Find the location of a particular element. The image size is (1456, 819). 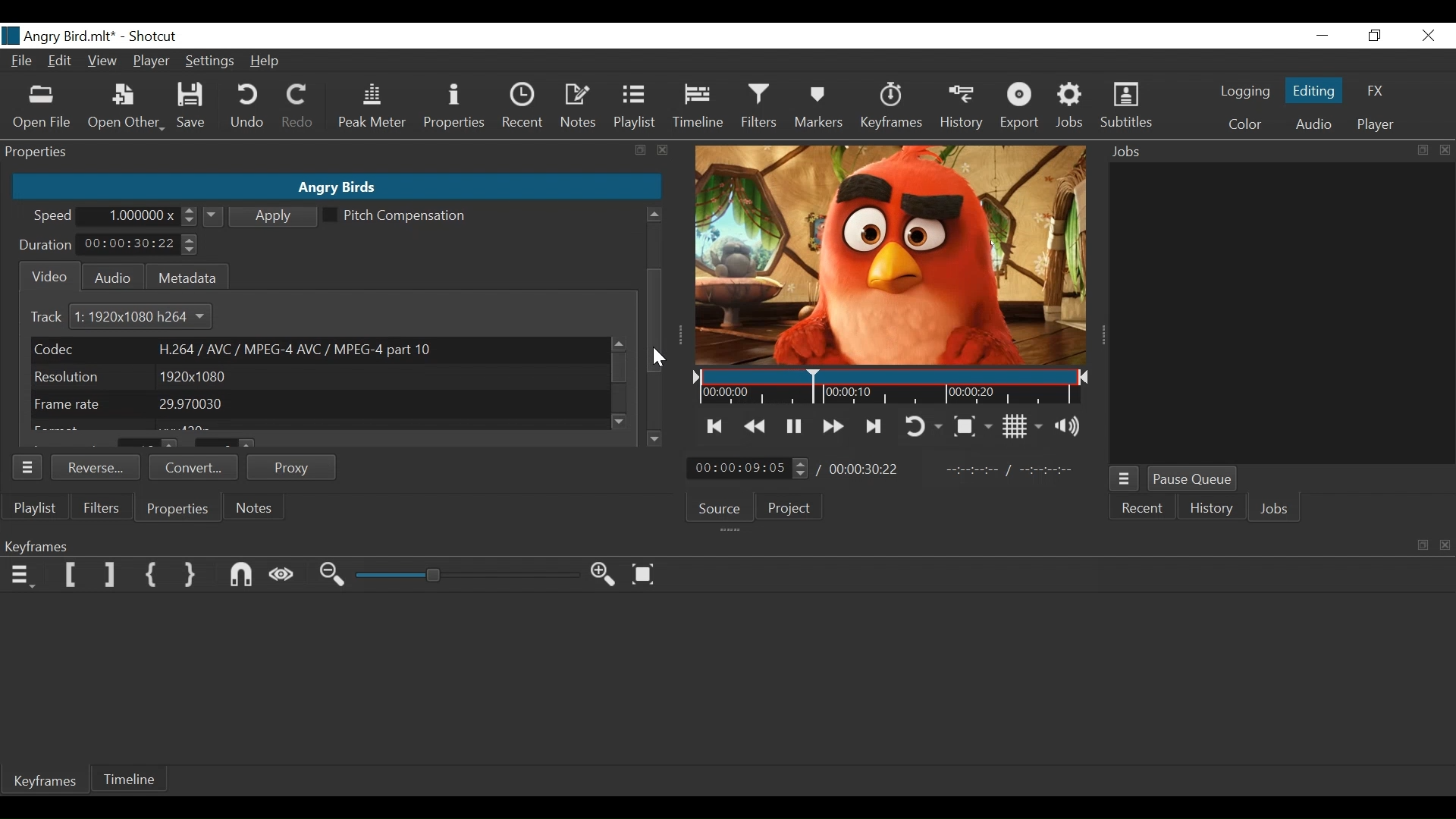

Toggle display grid on player is located at coordinates (1021, 427).